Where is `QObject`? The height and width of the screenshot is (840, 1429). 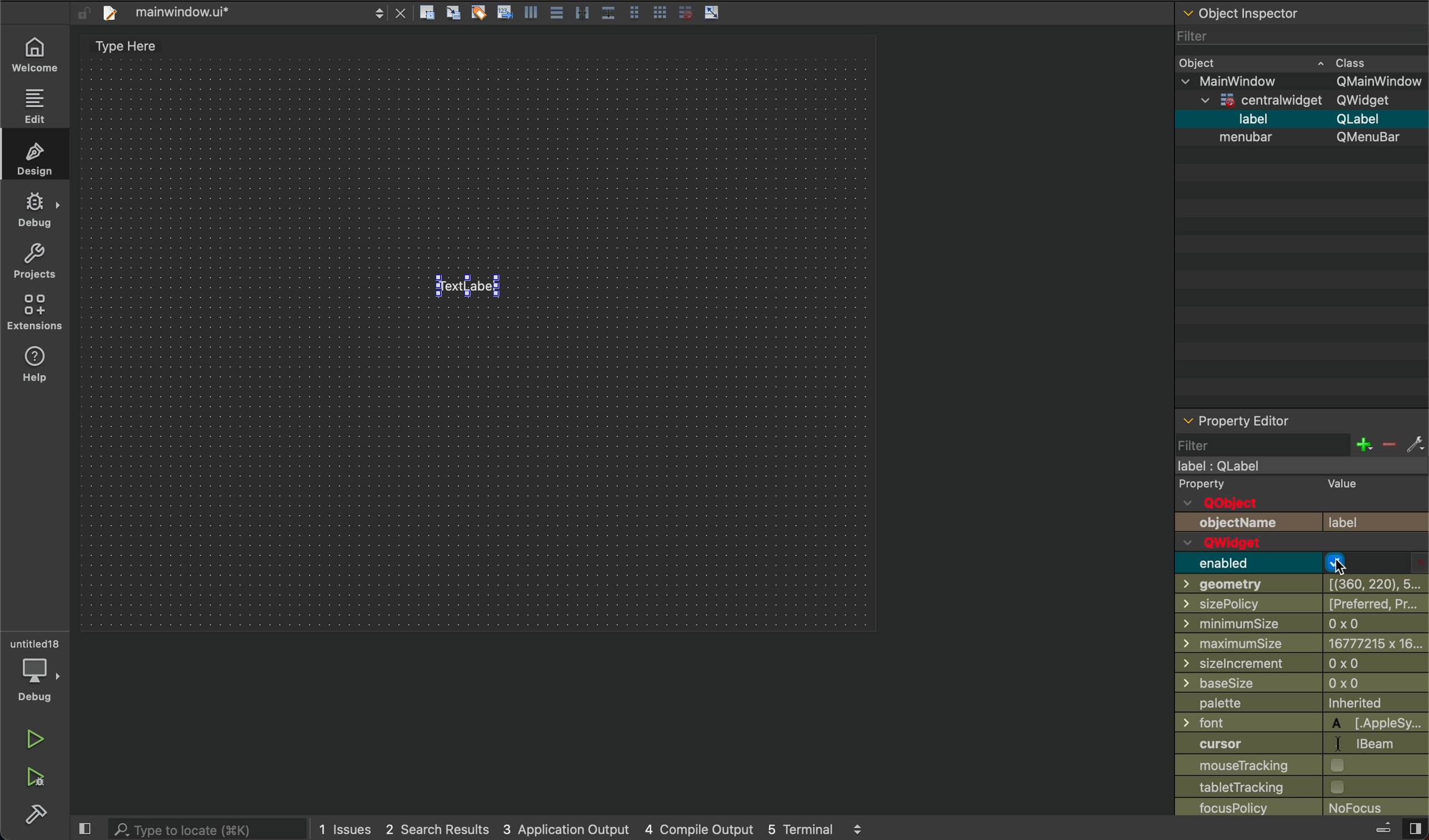 QObject is located at coordinates (1225, 502).